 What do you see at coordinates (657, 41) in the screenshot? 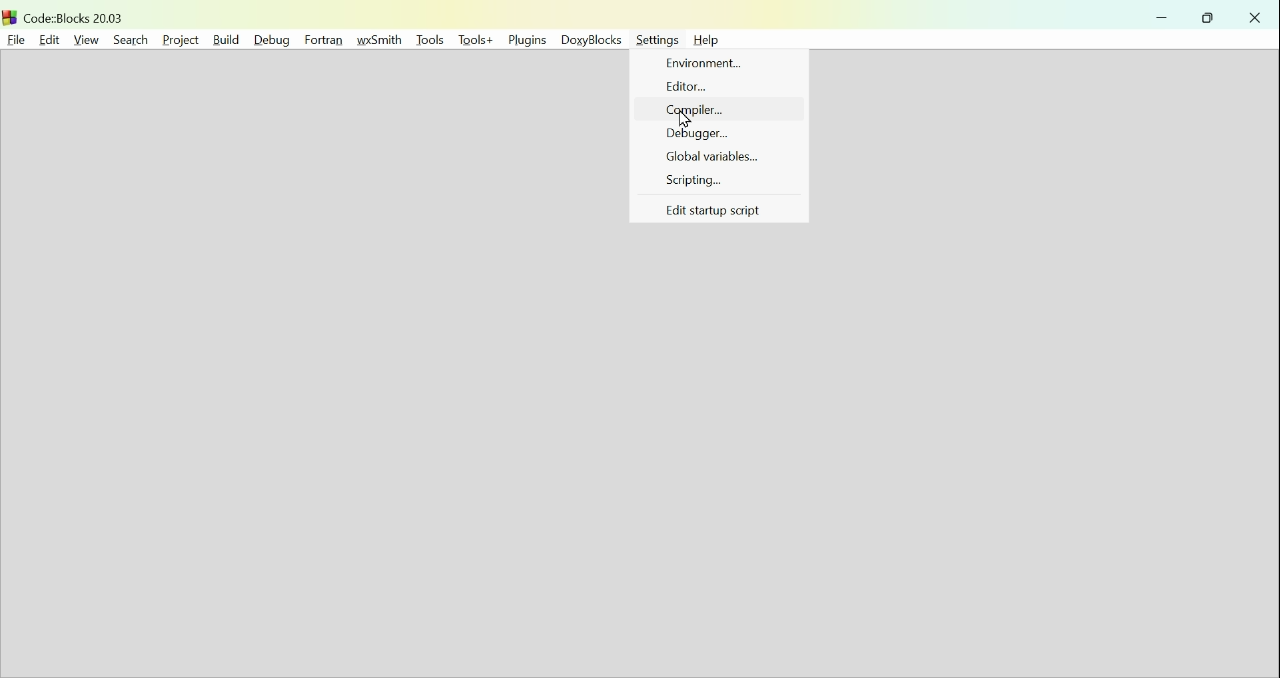
I see `Settings` at bounding box center [657, 41].